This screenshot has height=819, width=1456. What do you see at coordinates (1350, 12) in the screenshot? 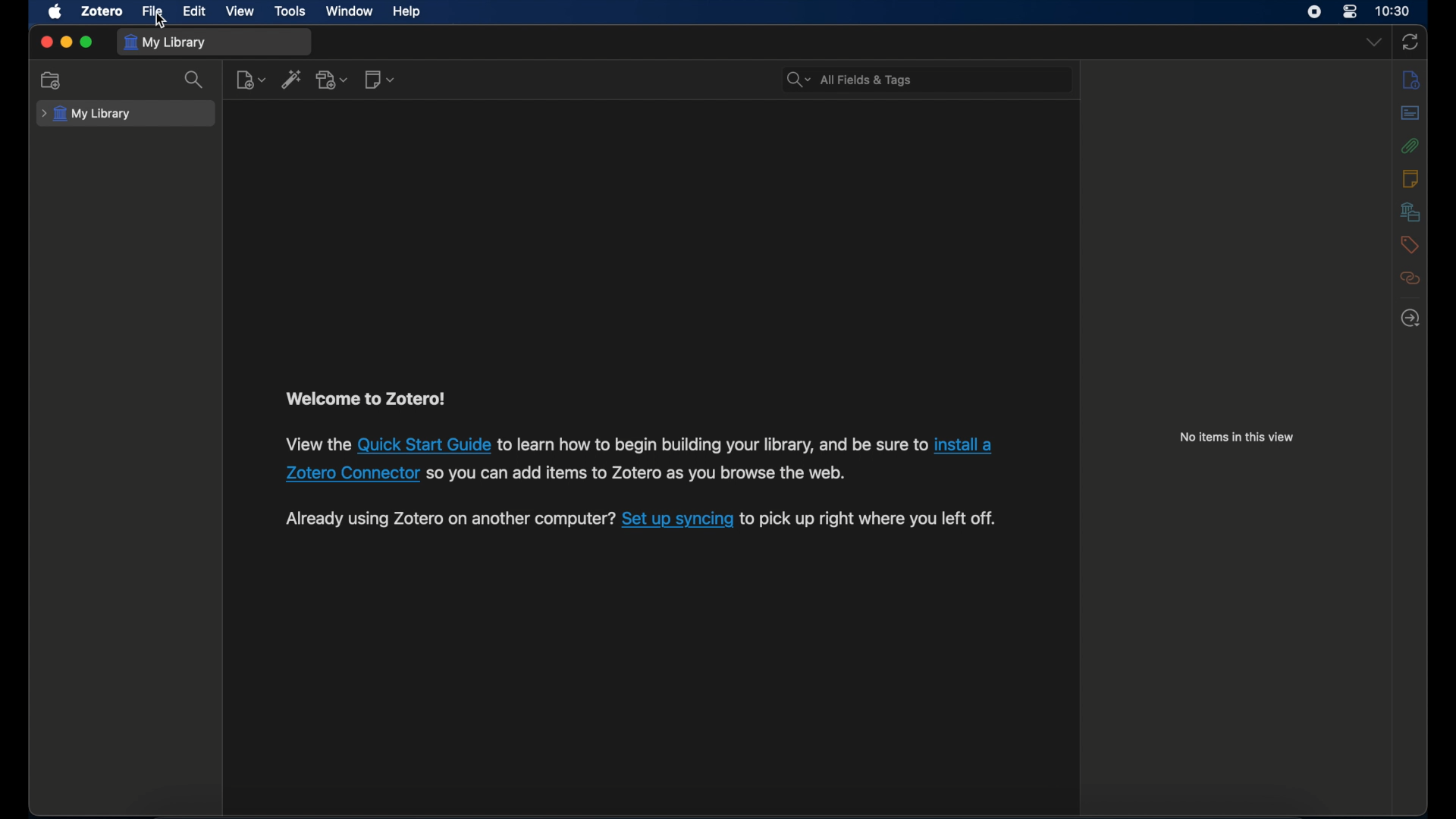
I see `control center` at bounding box center [1350, 12].